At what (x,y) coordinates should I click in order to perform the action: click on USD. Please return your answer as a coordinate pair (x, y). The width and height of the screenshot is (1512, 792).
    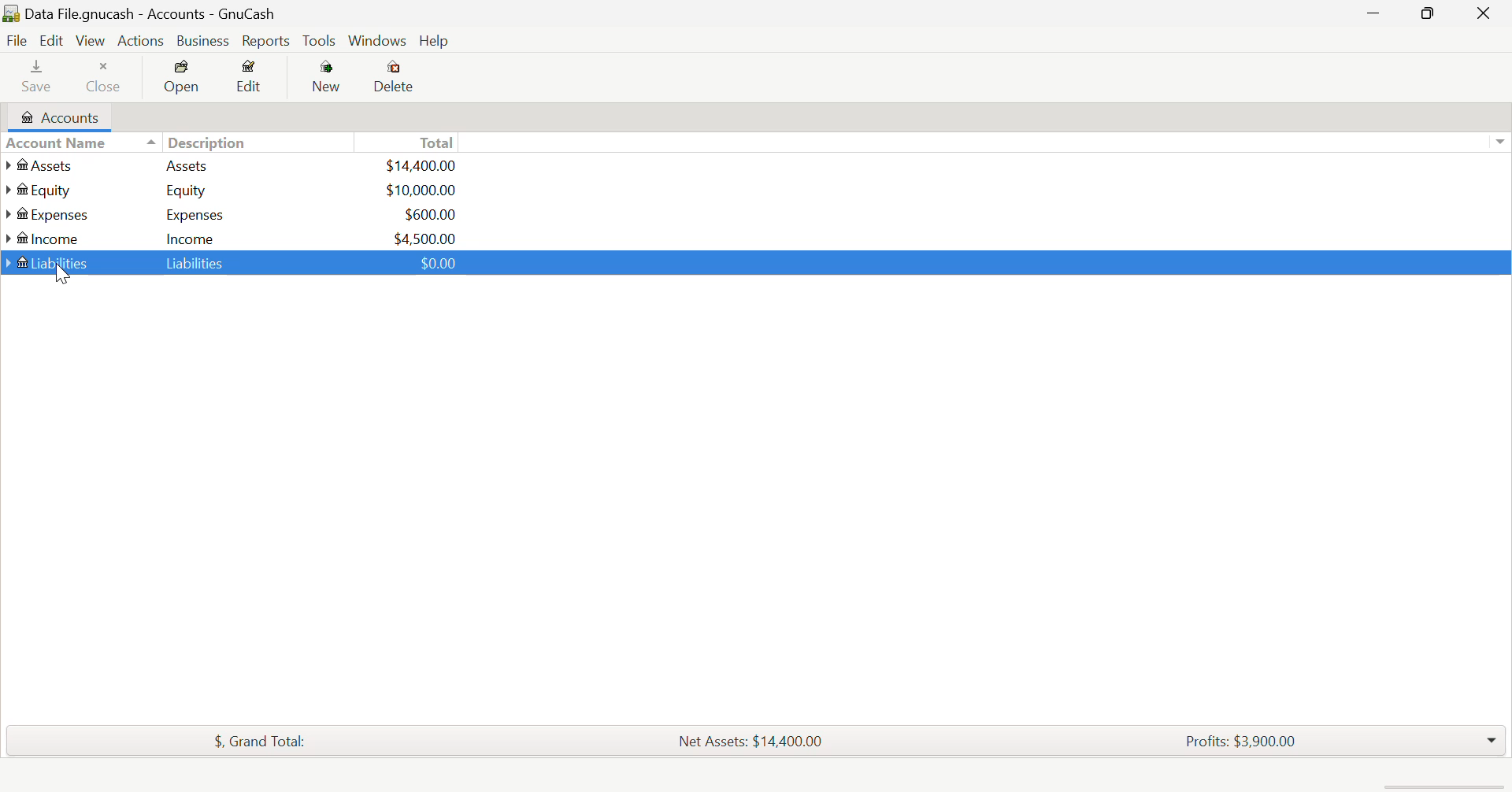
    Looking at the image, I should click on (434, 262).